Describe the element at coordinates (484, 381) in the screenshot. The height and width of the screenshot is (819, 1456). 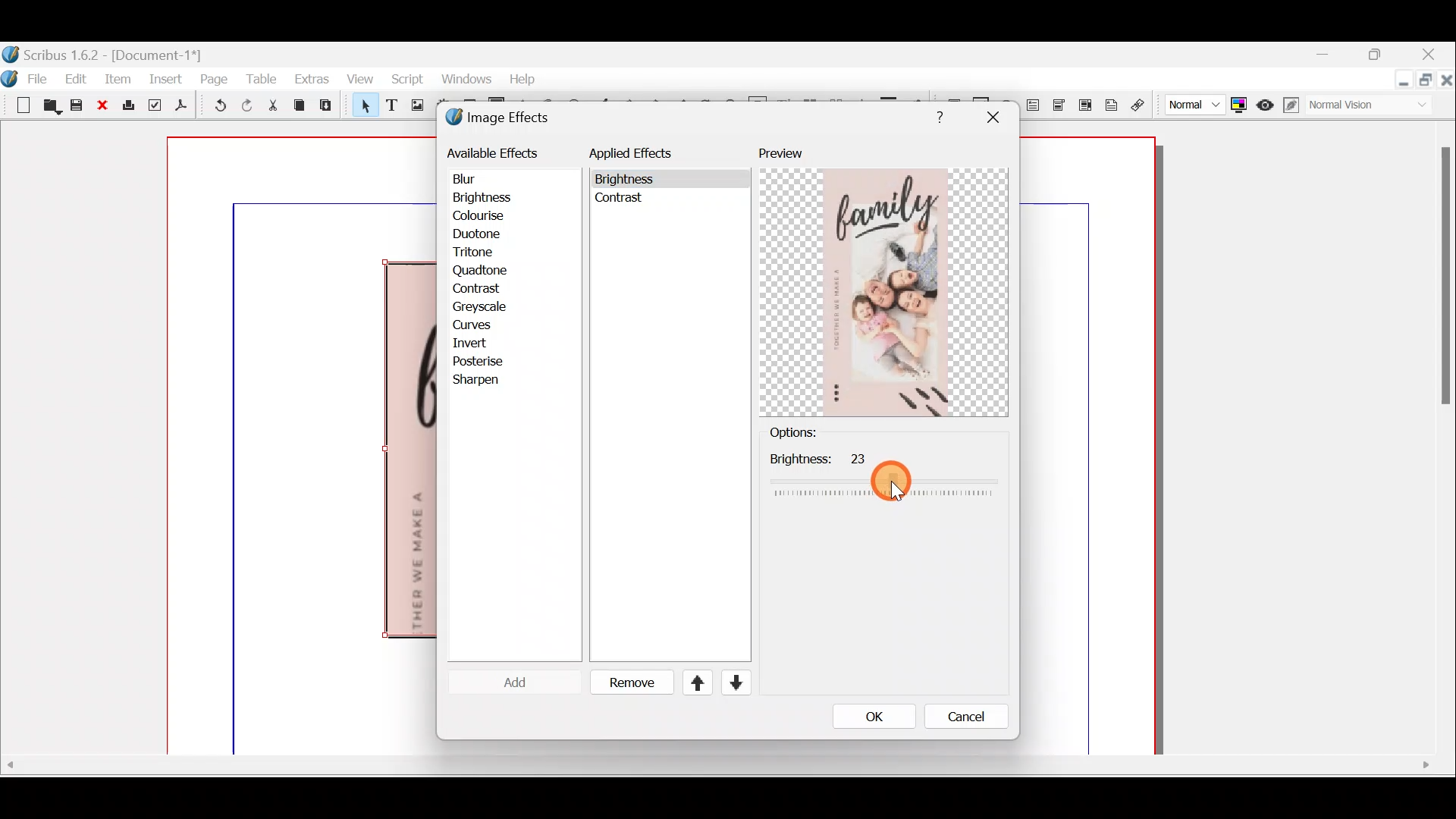
I see `Sharpen` at that location.